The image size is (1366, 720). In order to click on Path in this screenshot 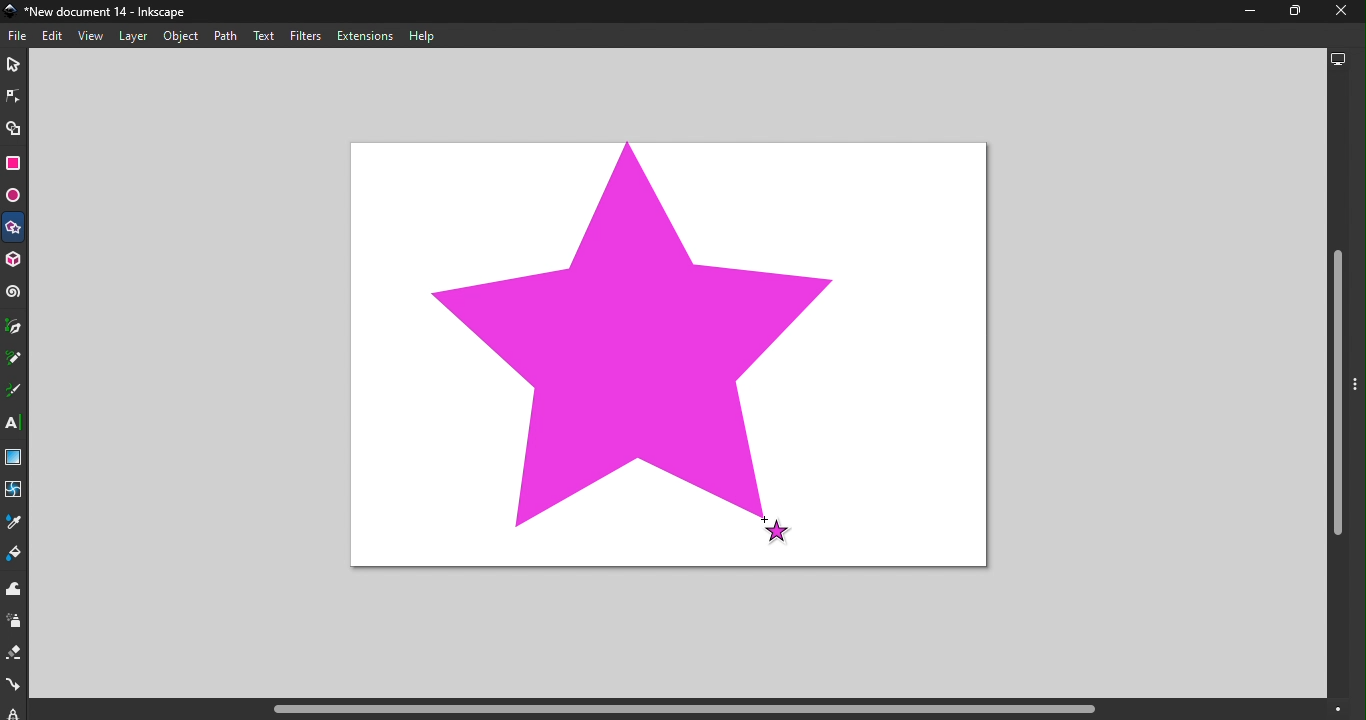, I will do `click(227, 35)`.